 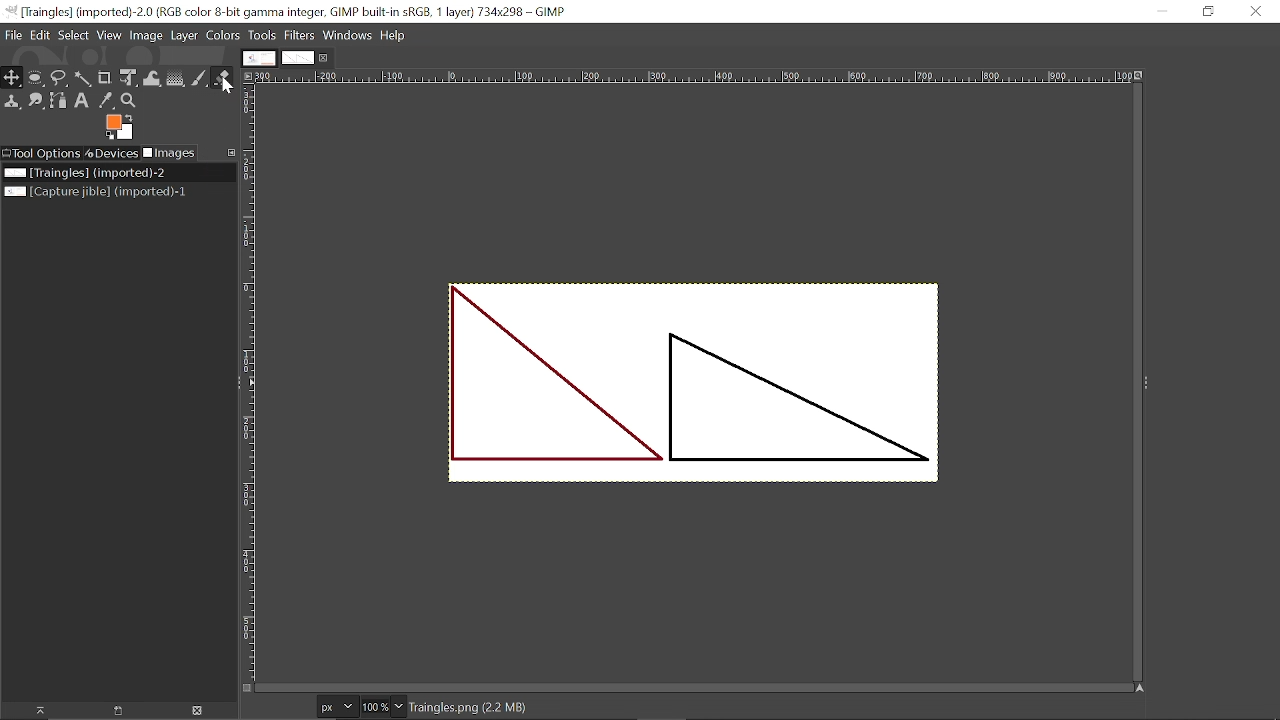 What do you see at coordinates (259, 58) in the screenshot?
I see `Other tab` at bounding box center [259, 58].